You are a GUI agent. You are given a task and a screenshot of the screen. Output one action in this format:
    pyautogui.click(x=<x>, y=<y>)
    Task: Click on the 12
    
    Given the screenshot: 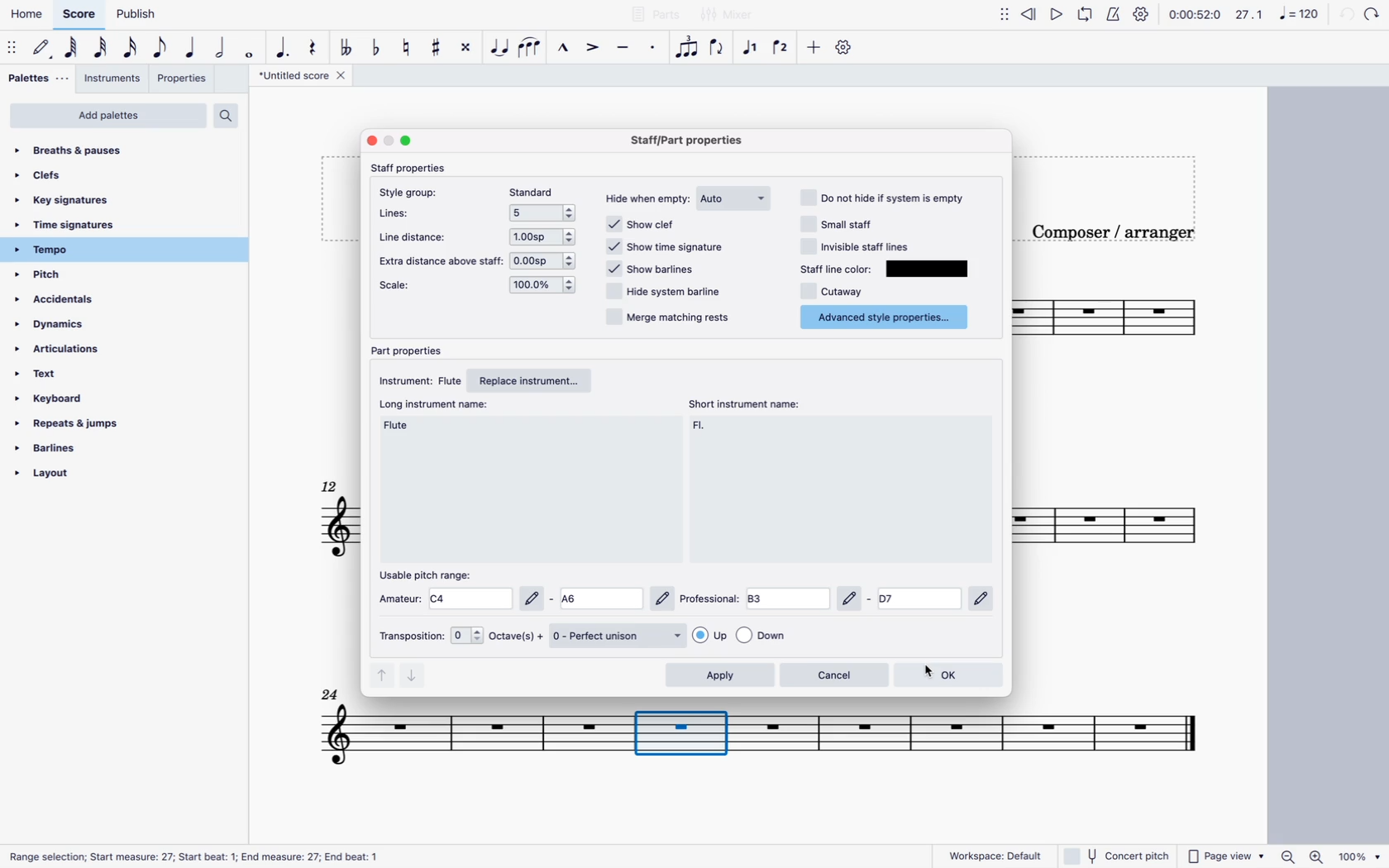 What is the action you would take?
    pyautogui.click(x=332, y=486)
    